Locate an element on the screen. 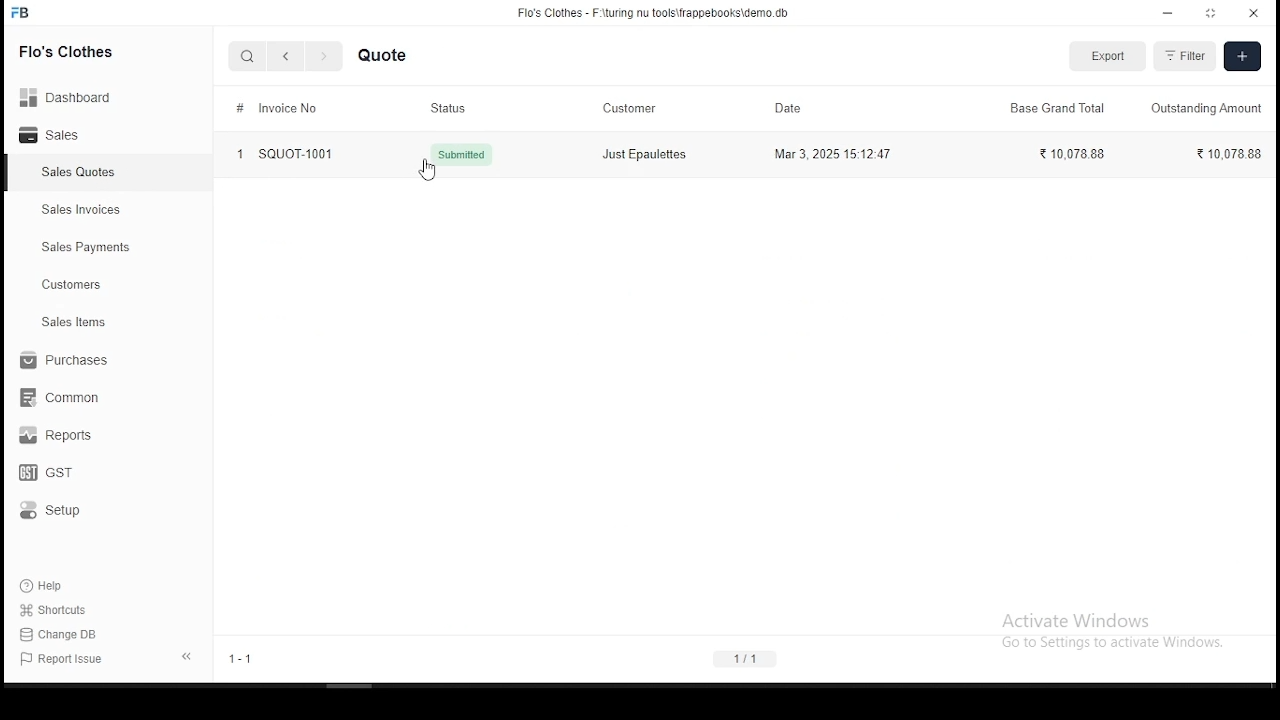 Image resolution: width=1280 pixels, height=720 pixels. GST is located at coordinates (63, 474).